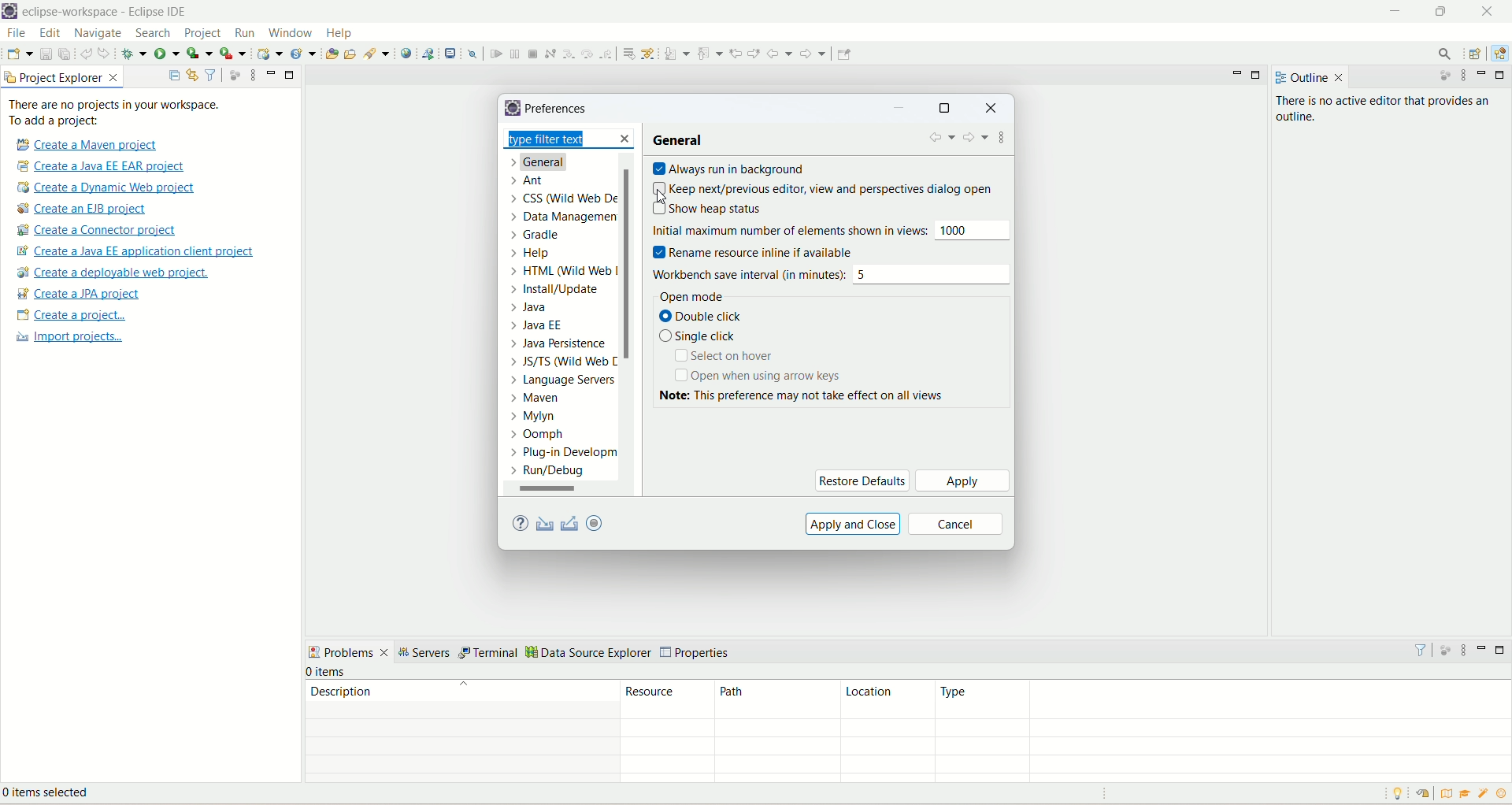  Describe the element at coordinates (561, 201) in the screenshot. I see `CSS` at that location.